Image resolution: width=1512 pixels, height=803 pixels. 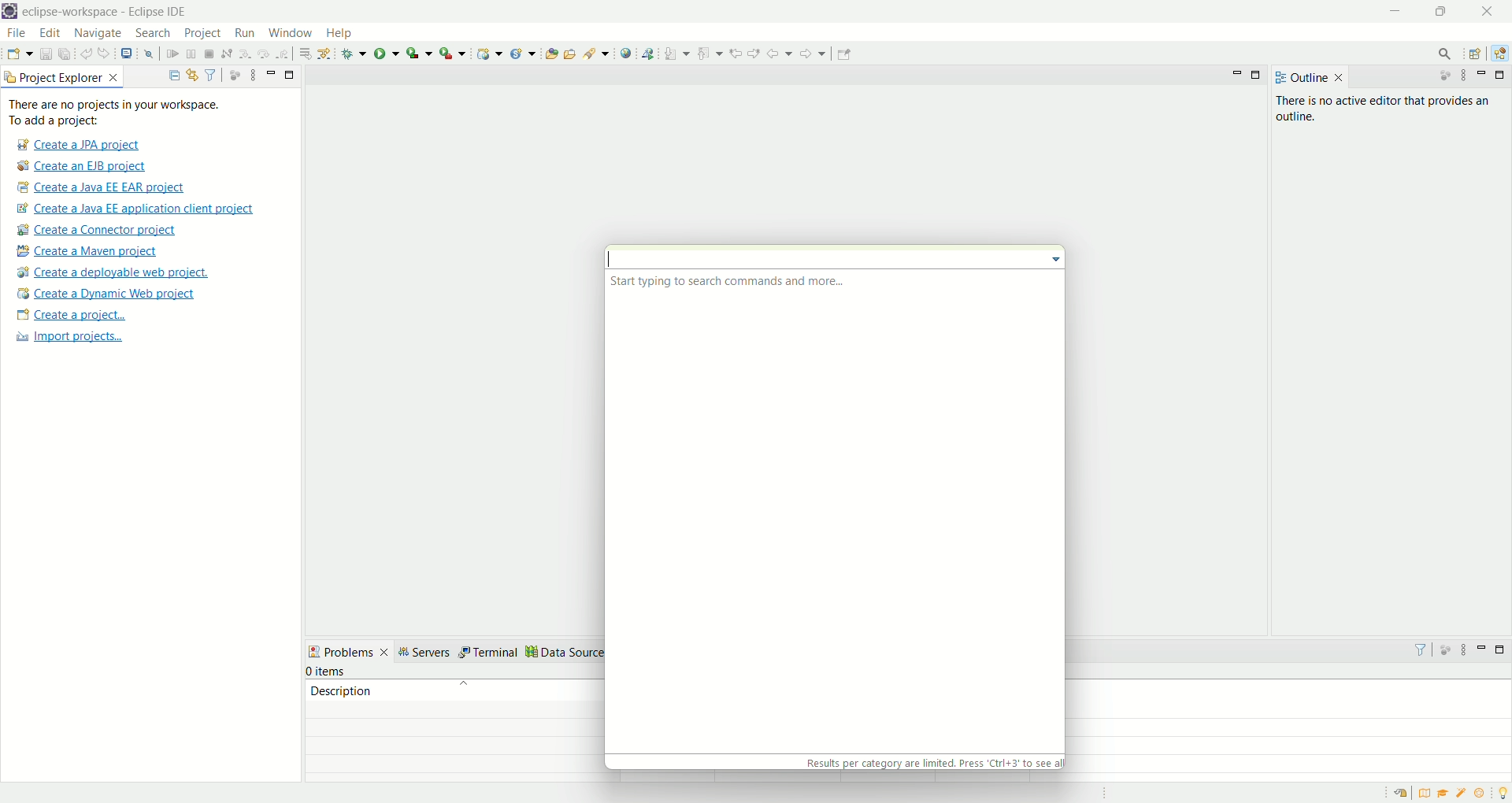 I want to click on search, so click(x=1448, y=54).